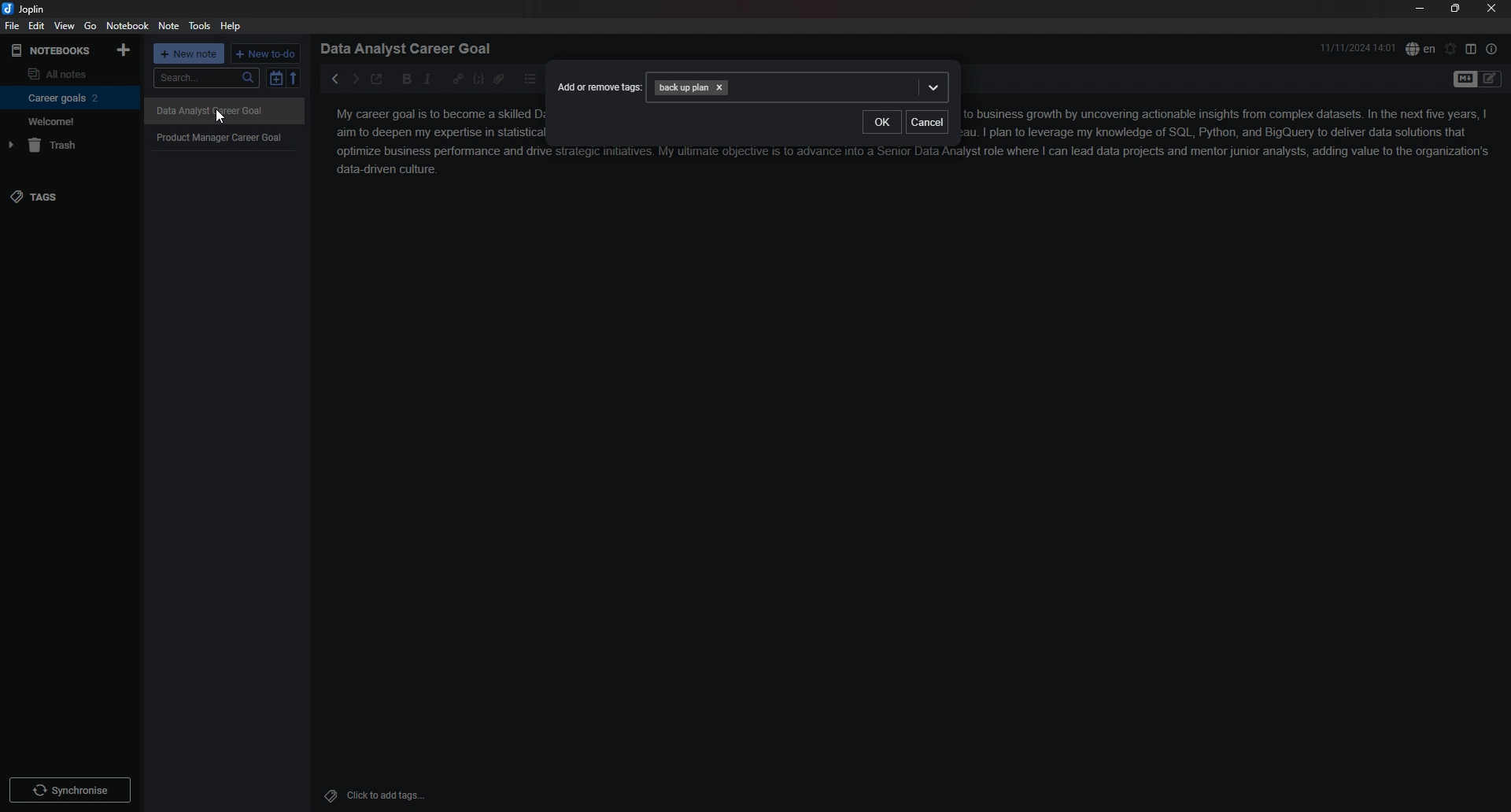 This screenshot has height=812, width=1511. What do you see at coordinates (220, 118) in the screenshot?
I see `Cursor` at bounding box center [220, 118].